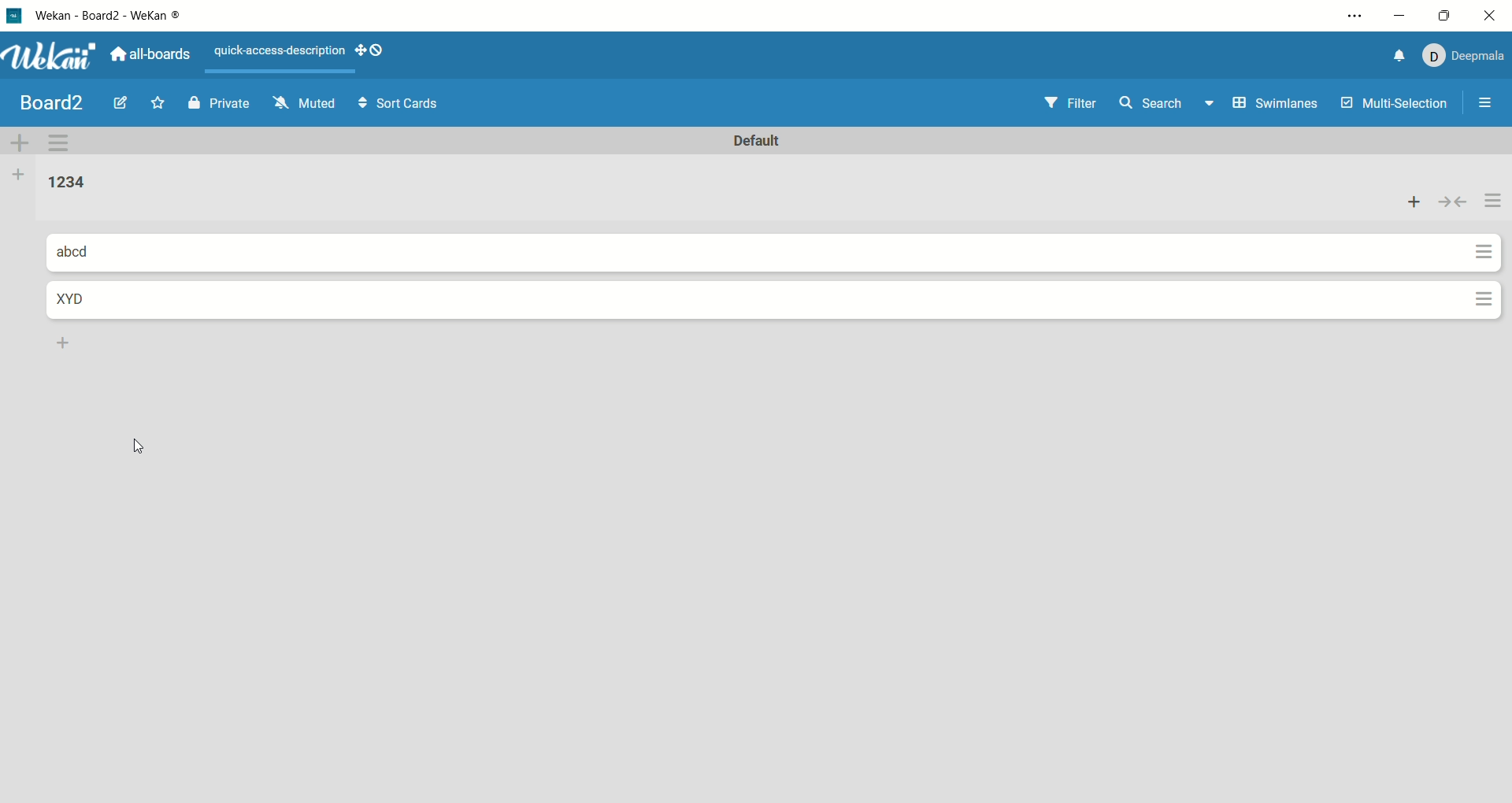 Image resolution: width=1512 pixels, height=803 pixels. What do you see at coordinates (83, 253) in the screenshot?
I see `card title` at bounding box center [83, 253].